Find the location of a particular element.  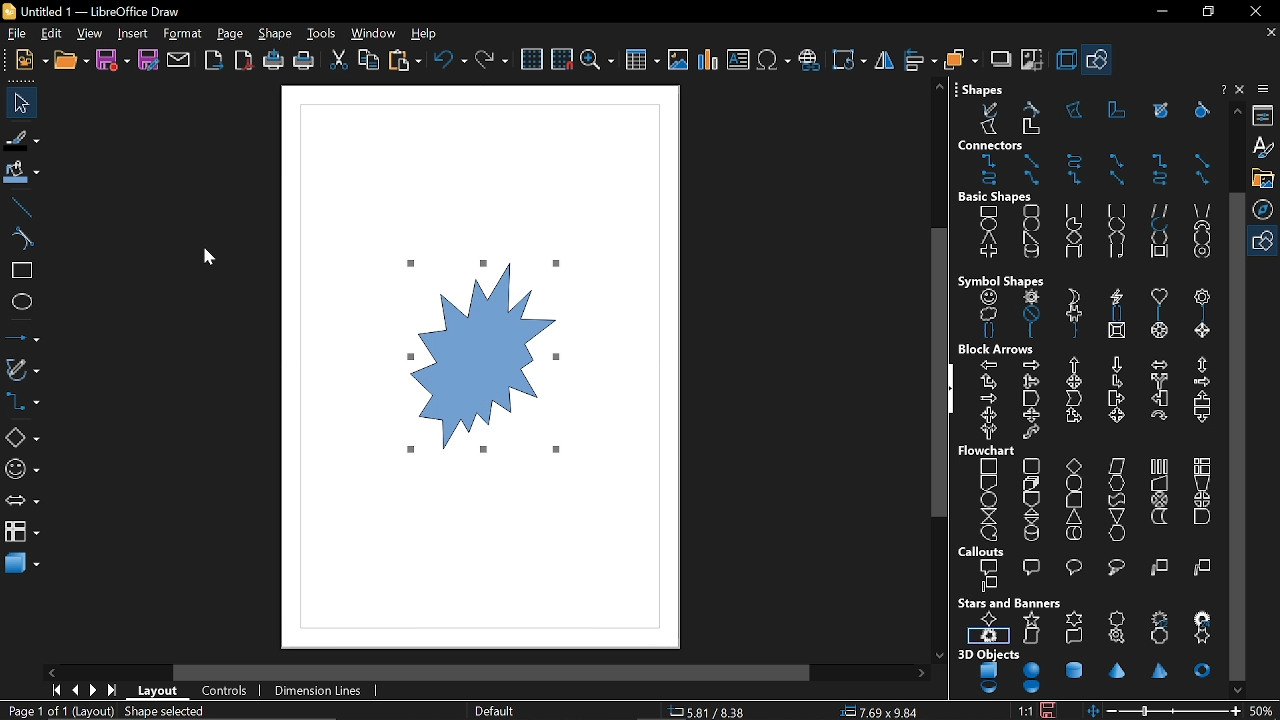

Vertical scroll bar is located at coordinates (935, 370).